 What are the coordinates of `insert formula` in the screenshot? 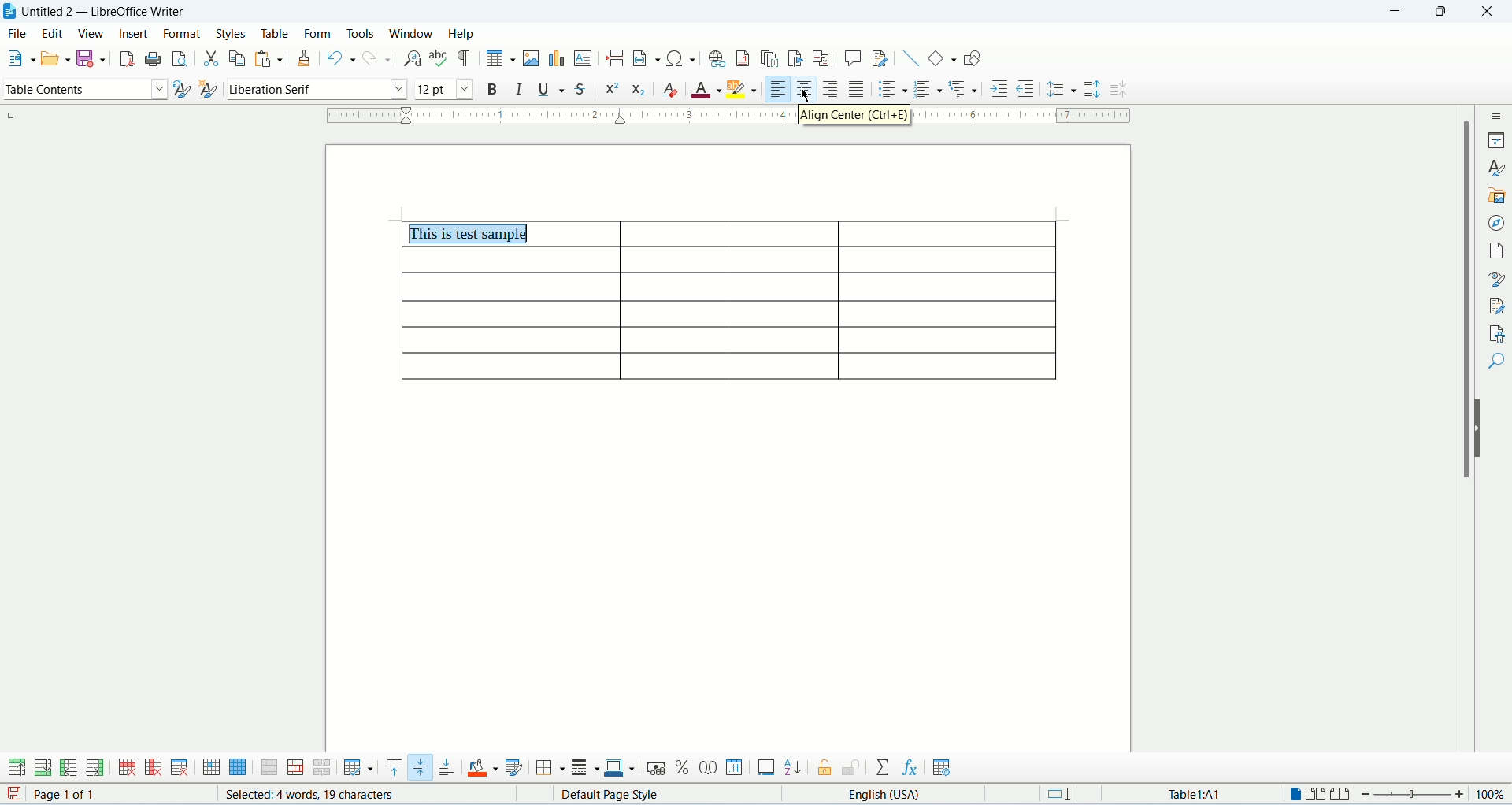 It's located at (908, 767).